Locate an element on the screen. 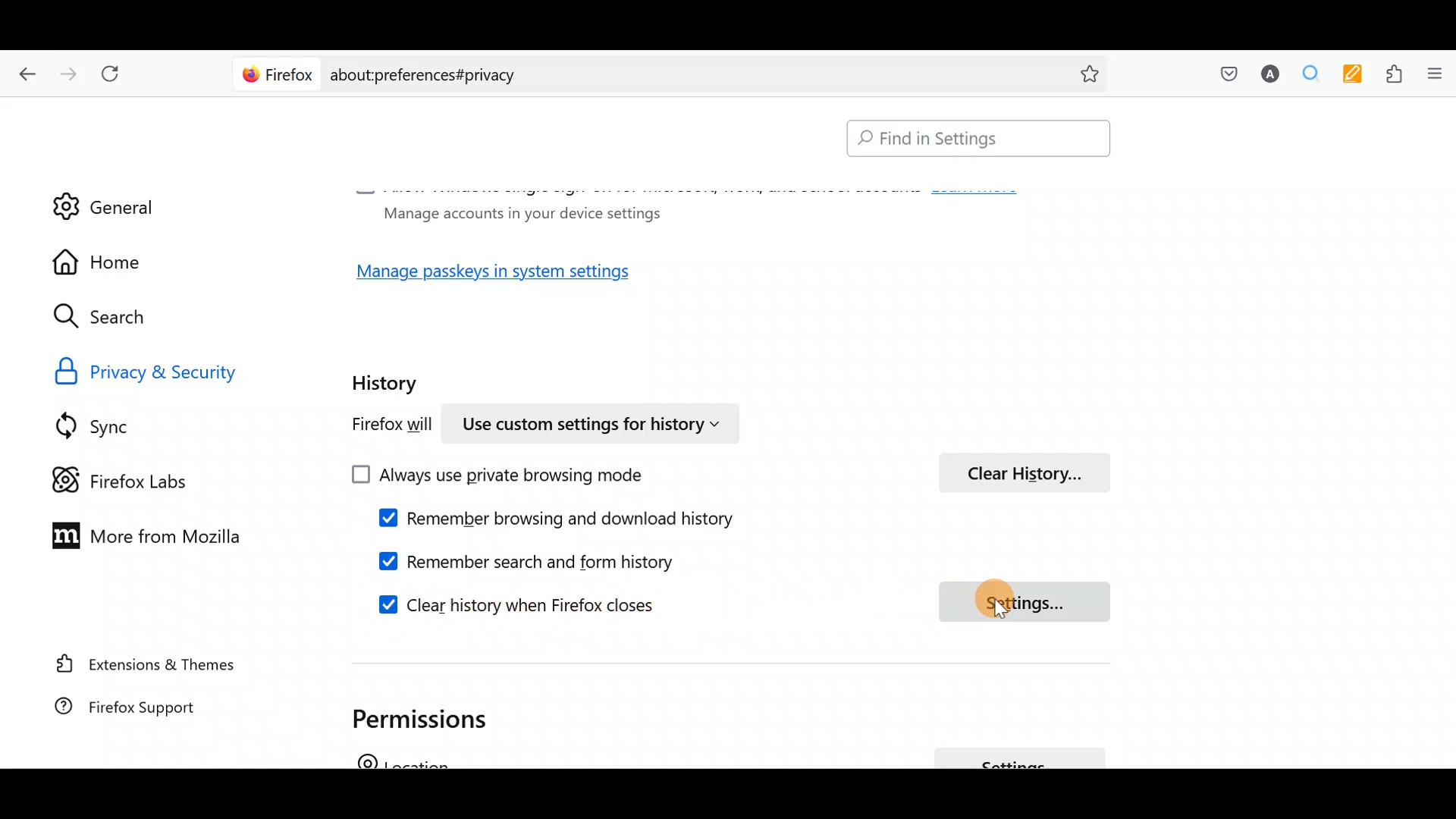  Extension & themes is located at coordinates (149, 667).